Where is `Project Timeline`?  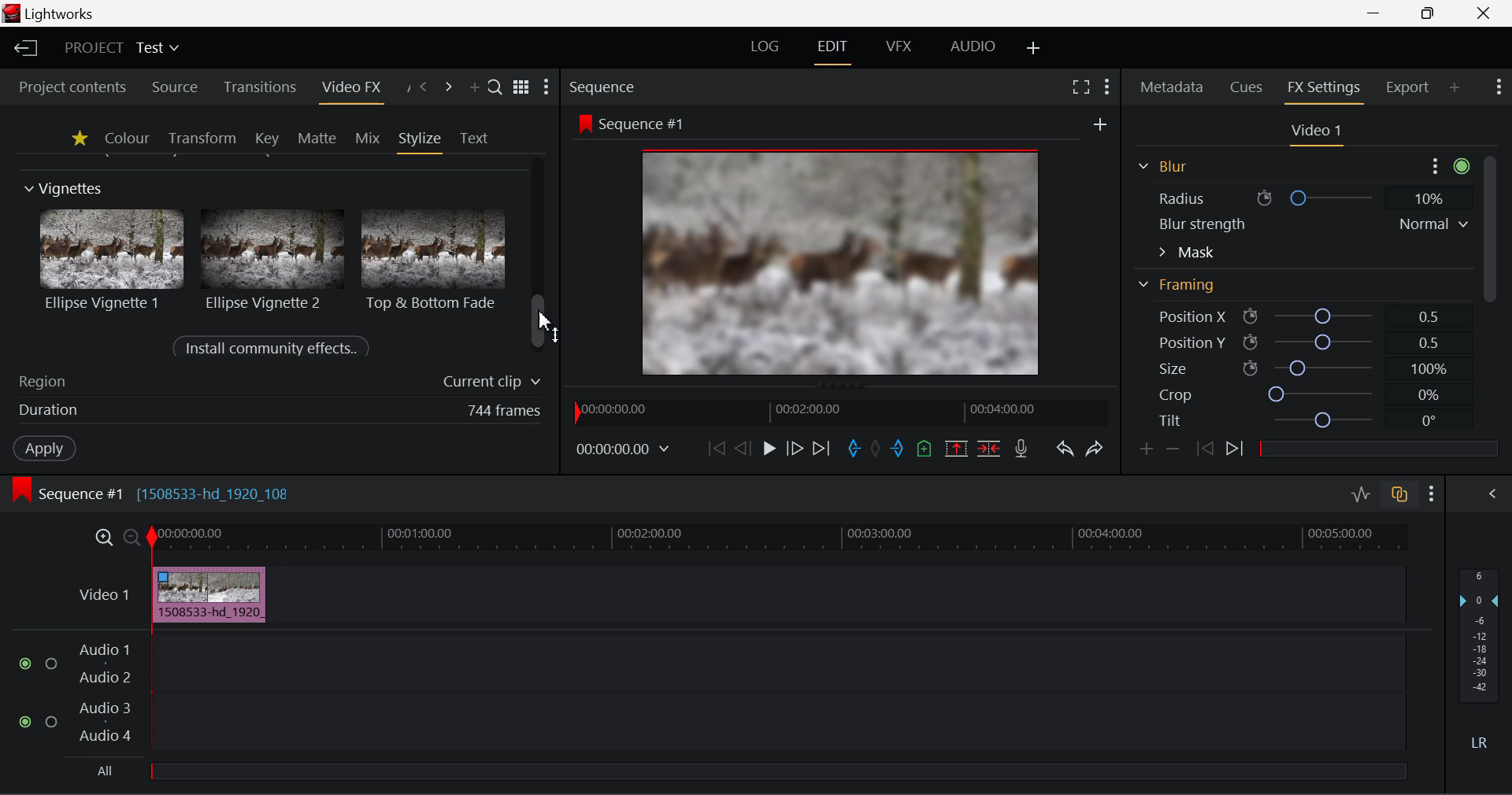 Project Timeline is located at coordinates (779, 538).